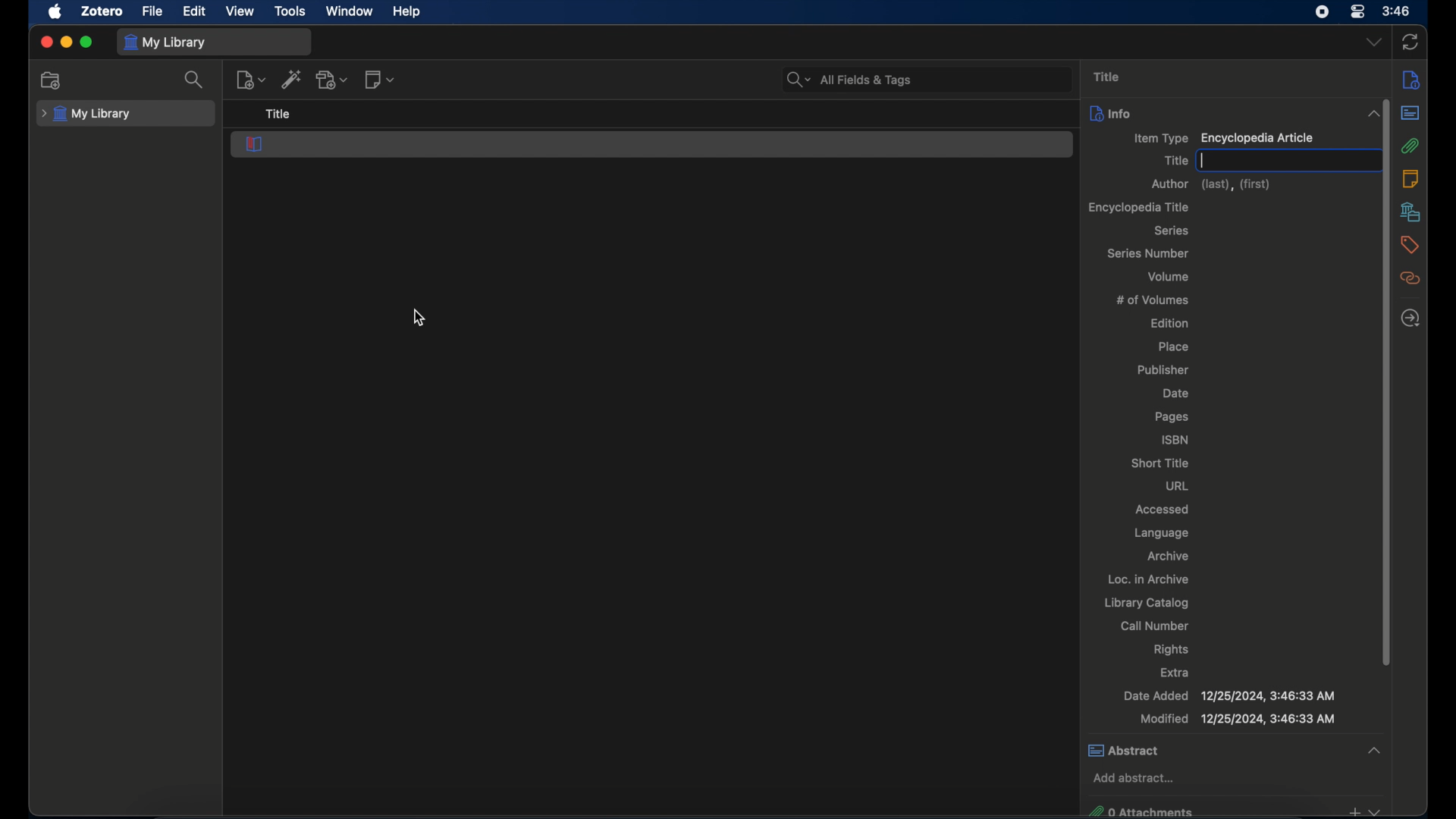 The image size is (1456, 819). What do you see at coordinates (240, 11) in the screenshot?
I see `view` at bounding box center [240, 11].